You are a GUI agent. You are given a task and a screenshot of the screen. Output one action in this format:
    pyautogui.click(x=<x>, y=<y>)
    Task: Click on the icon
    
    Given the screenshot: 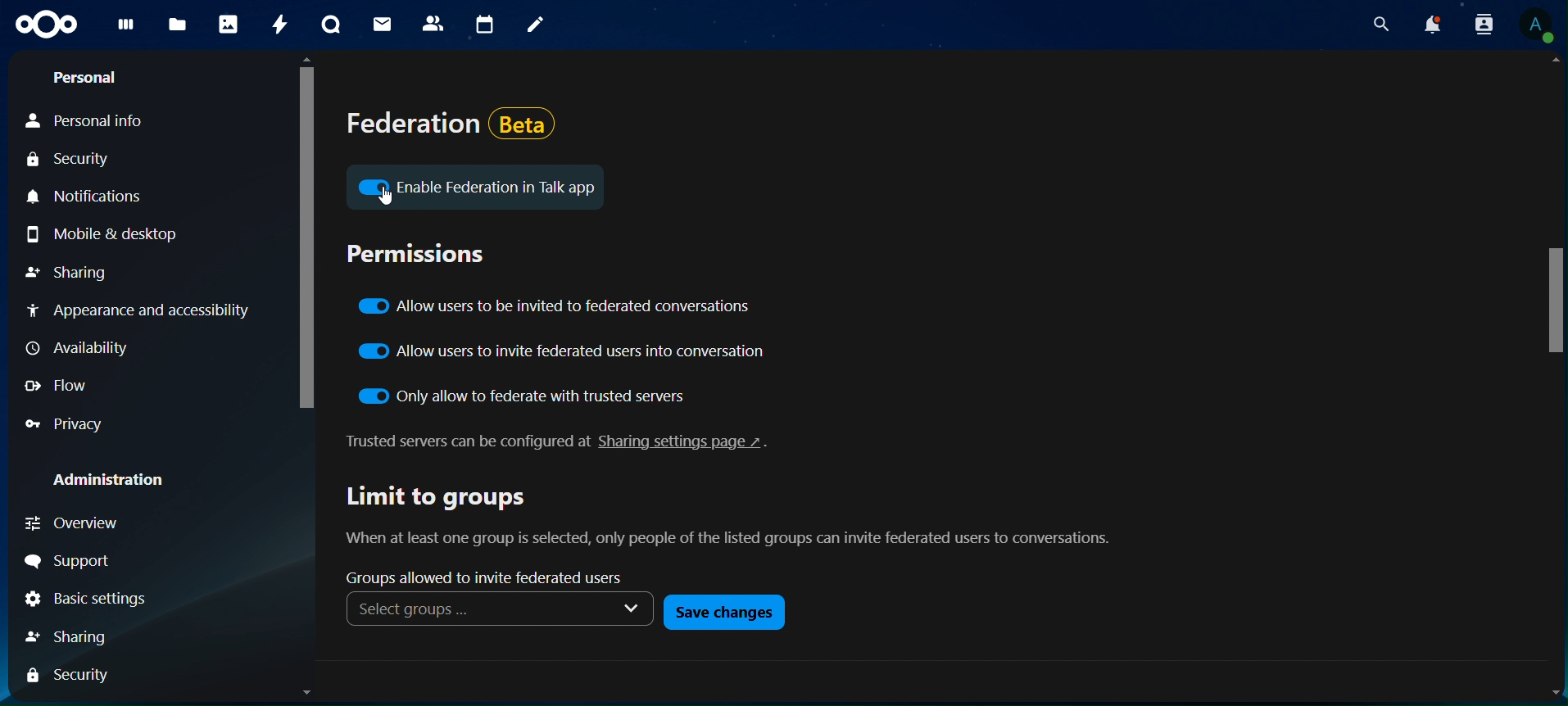 What is the action you would take?
    pyautogui.click(x=374, y=188)
    